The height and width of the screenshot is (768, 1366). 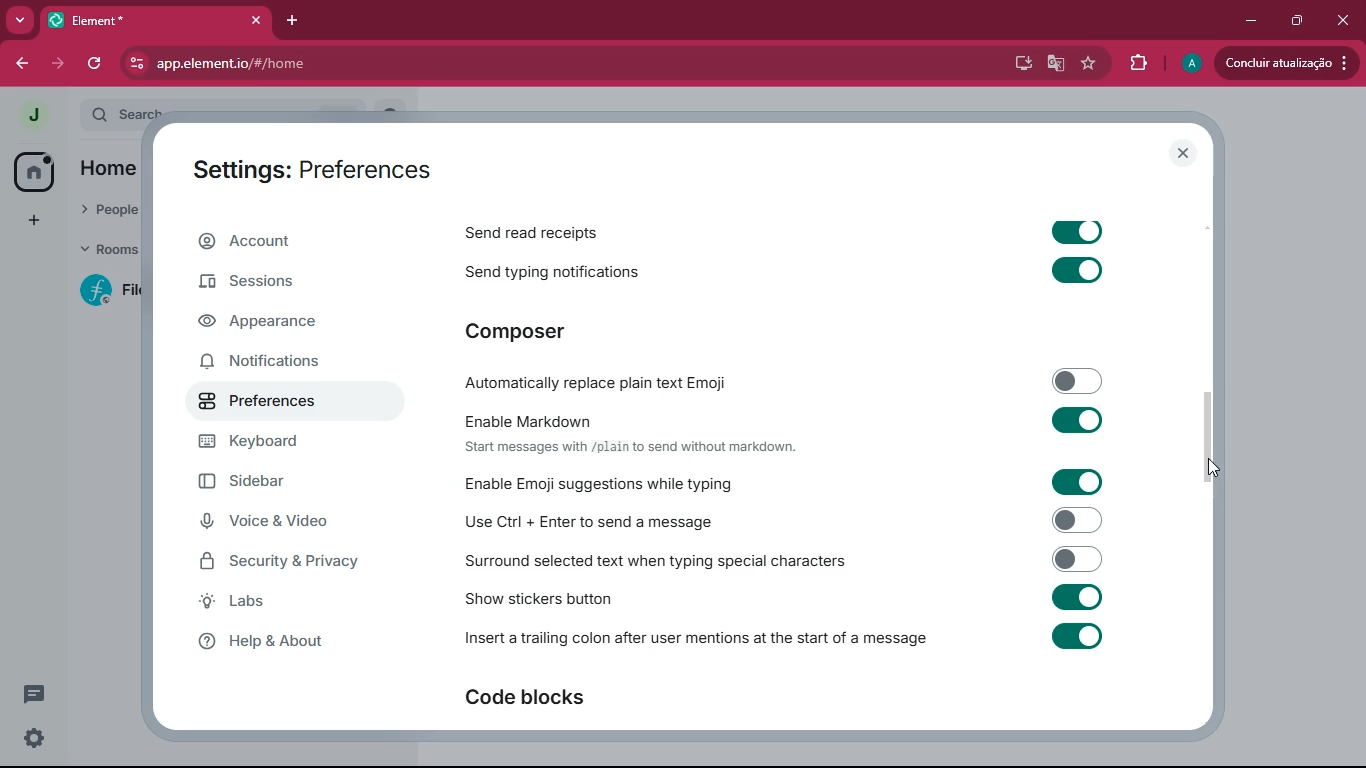 I want to click on labs, so click(x=288, y=603).